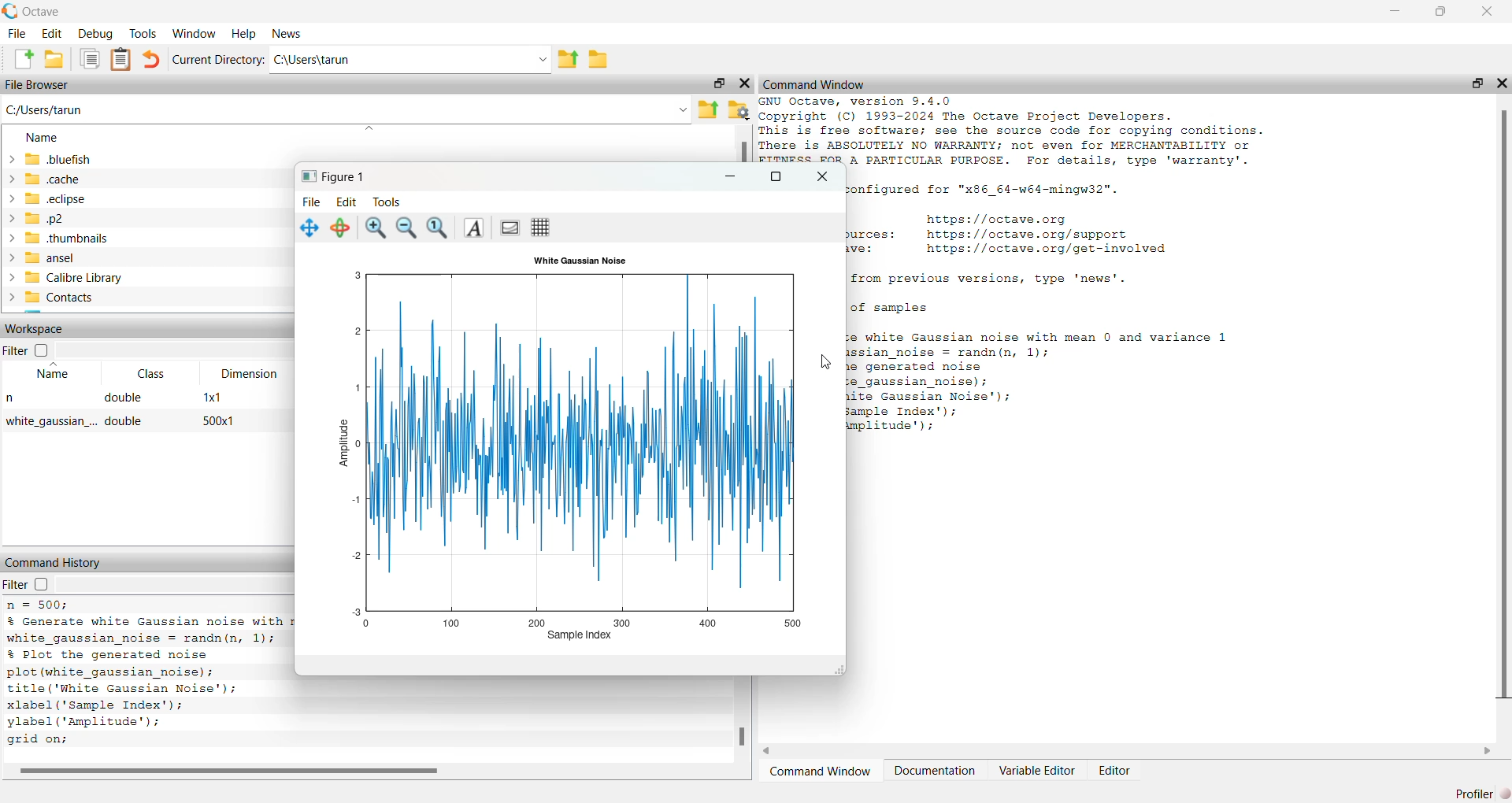 The image size is (1512, 803). What do you see at coordinates (824, 84) in the screenshot?
I see ` Command Window` at bounding box center [824, 84].